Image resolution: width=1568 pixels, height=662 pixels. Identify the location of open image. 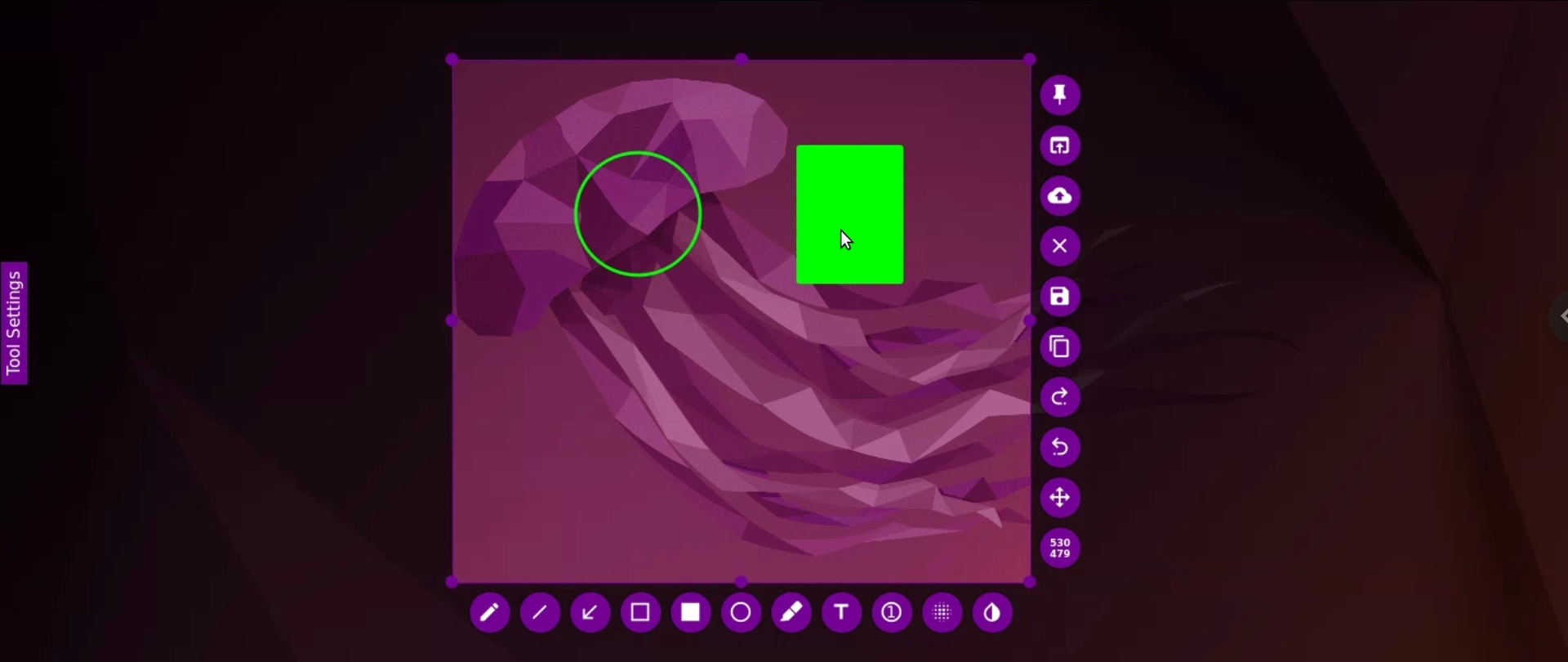
(1062, 145).